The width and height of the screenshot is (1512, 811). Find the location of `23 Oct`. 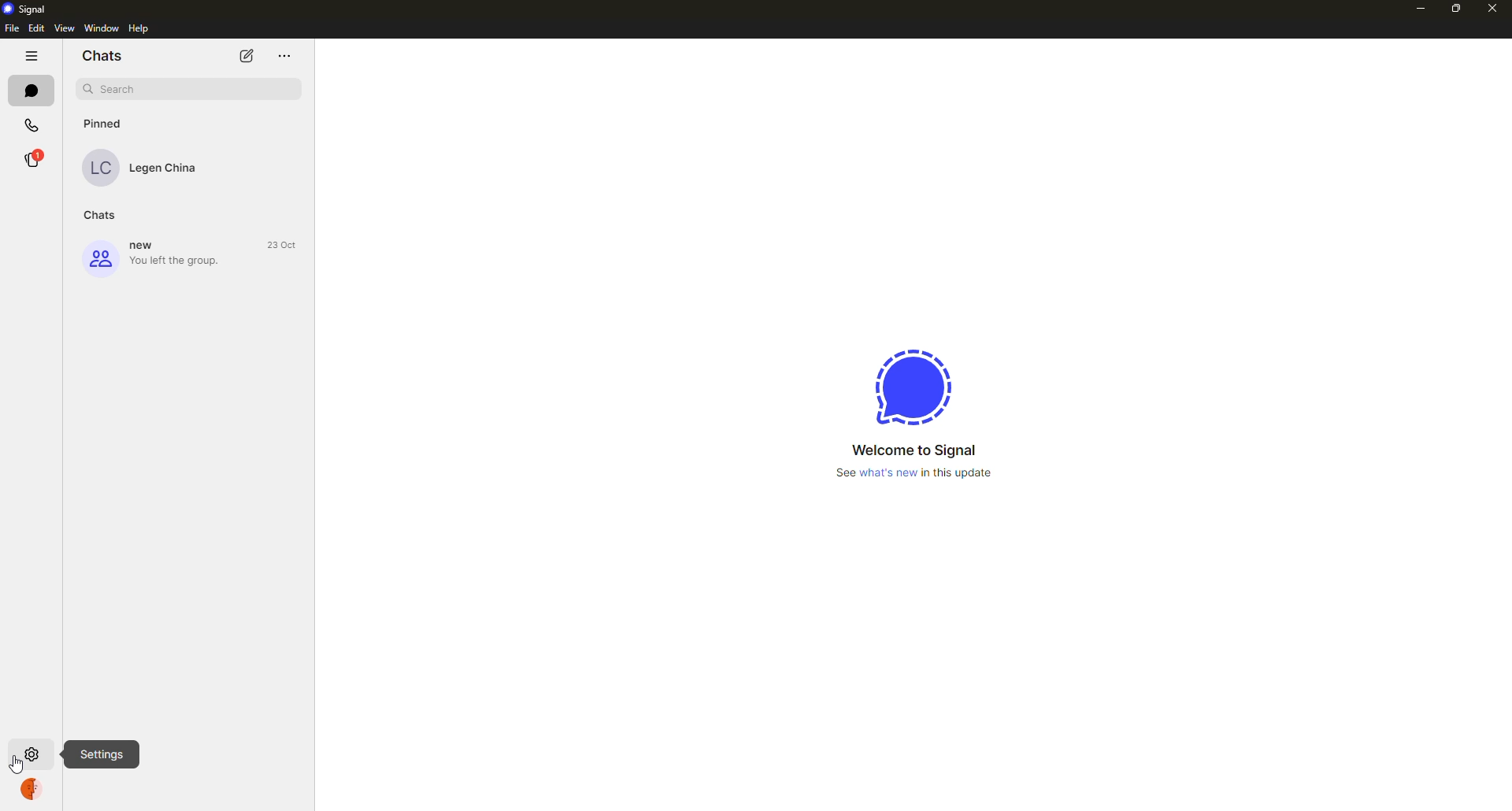

23 Oct is located at coordinates (280, 245).